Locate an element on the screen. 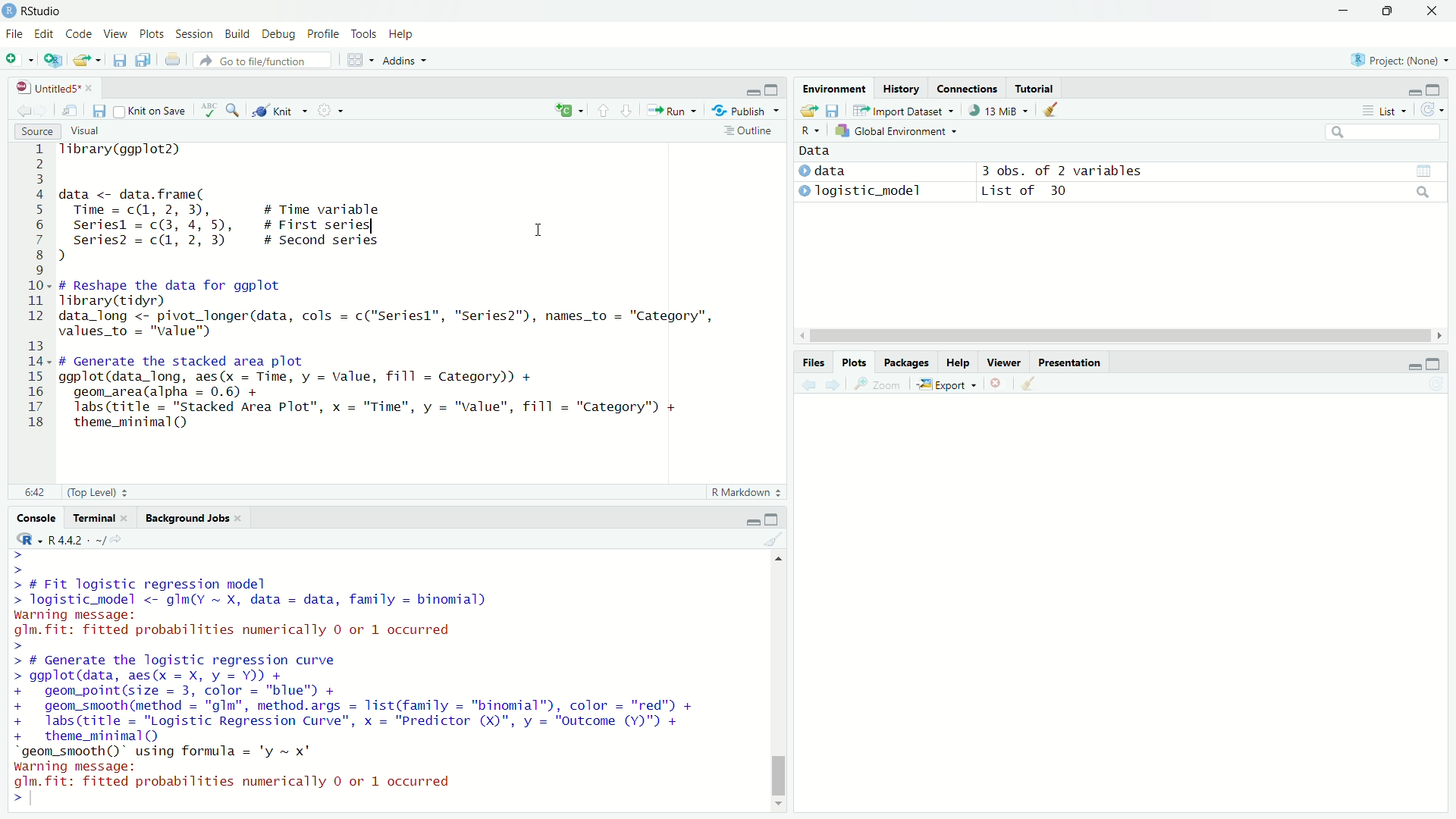 The image size is (1456, 819). scroll bar is located at coordinates (777, 680).